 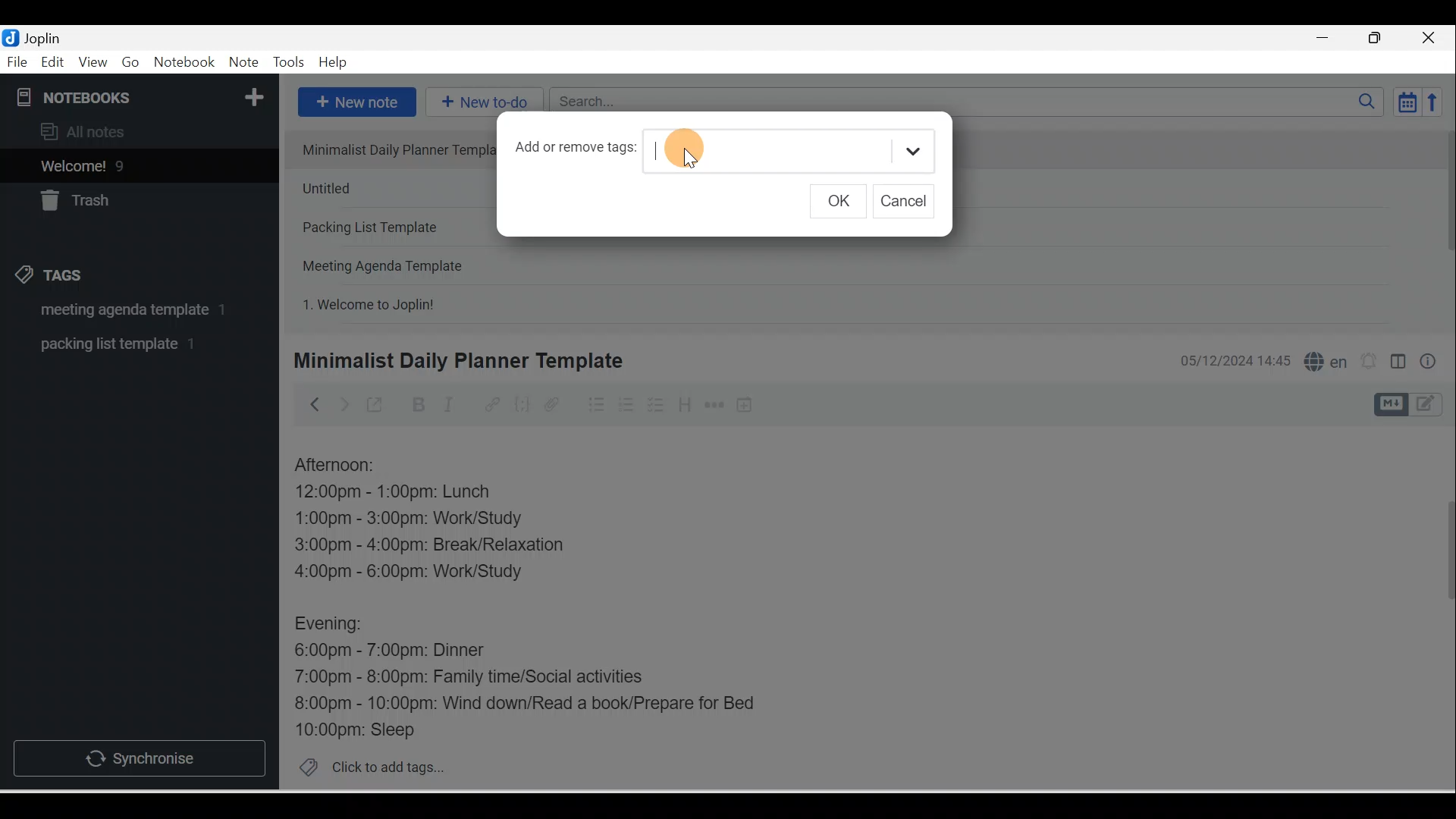 What do you see at coordinates (971, 102) in the screenshot?
I see `Search bar` at bounding box center [971, 102].